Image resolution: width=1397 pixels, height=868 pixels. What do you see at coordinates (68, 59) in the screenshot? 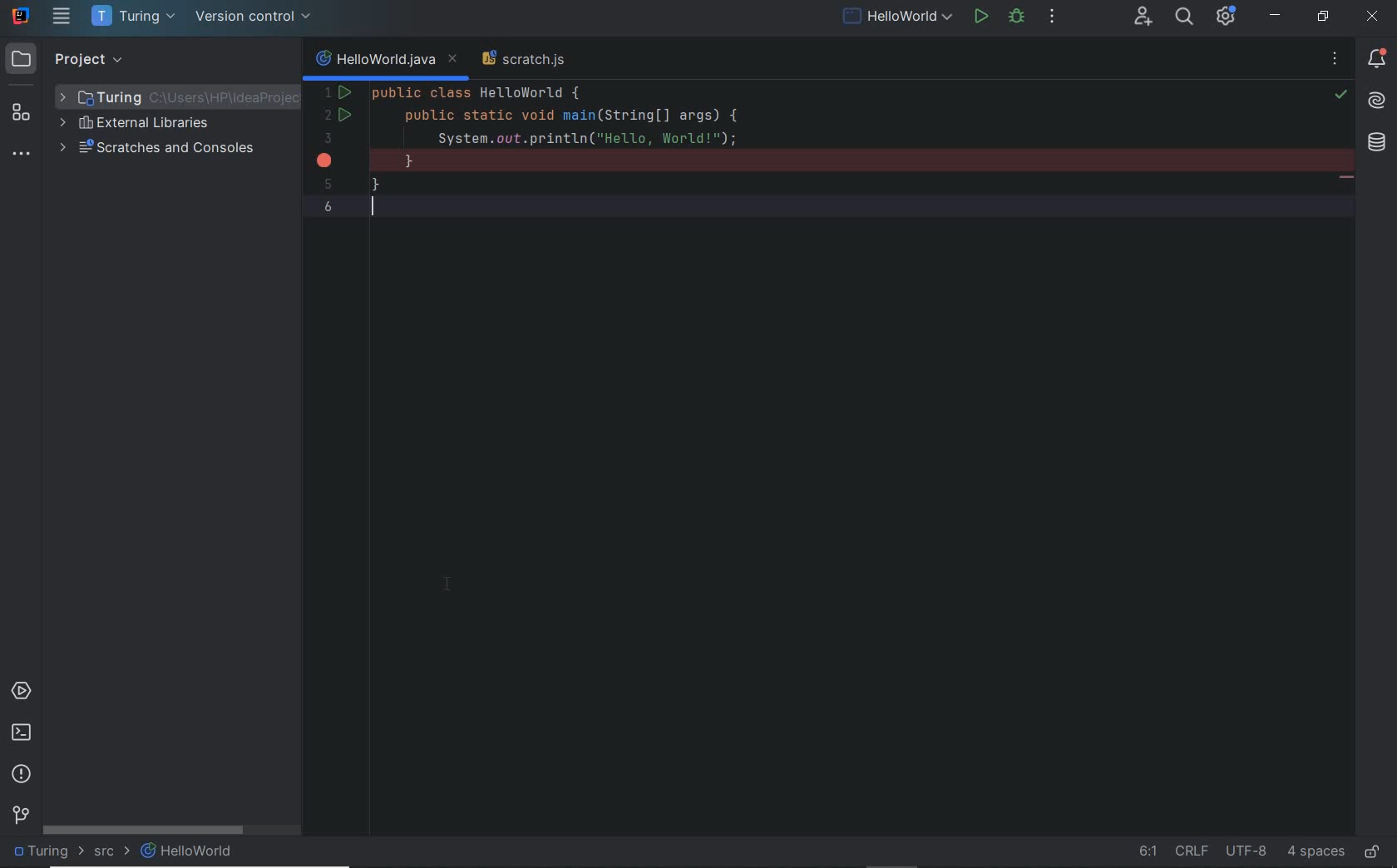
I see `project` at bounding box center [68, 59].